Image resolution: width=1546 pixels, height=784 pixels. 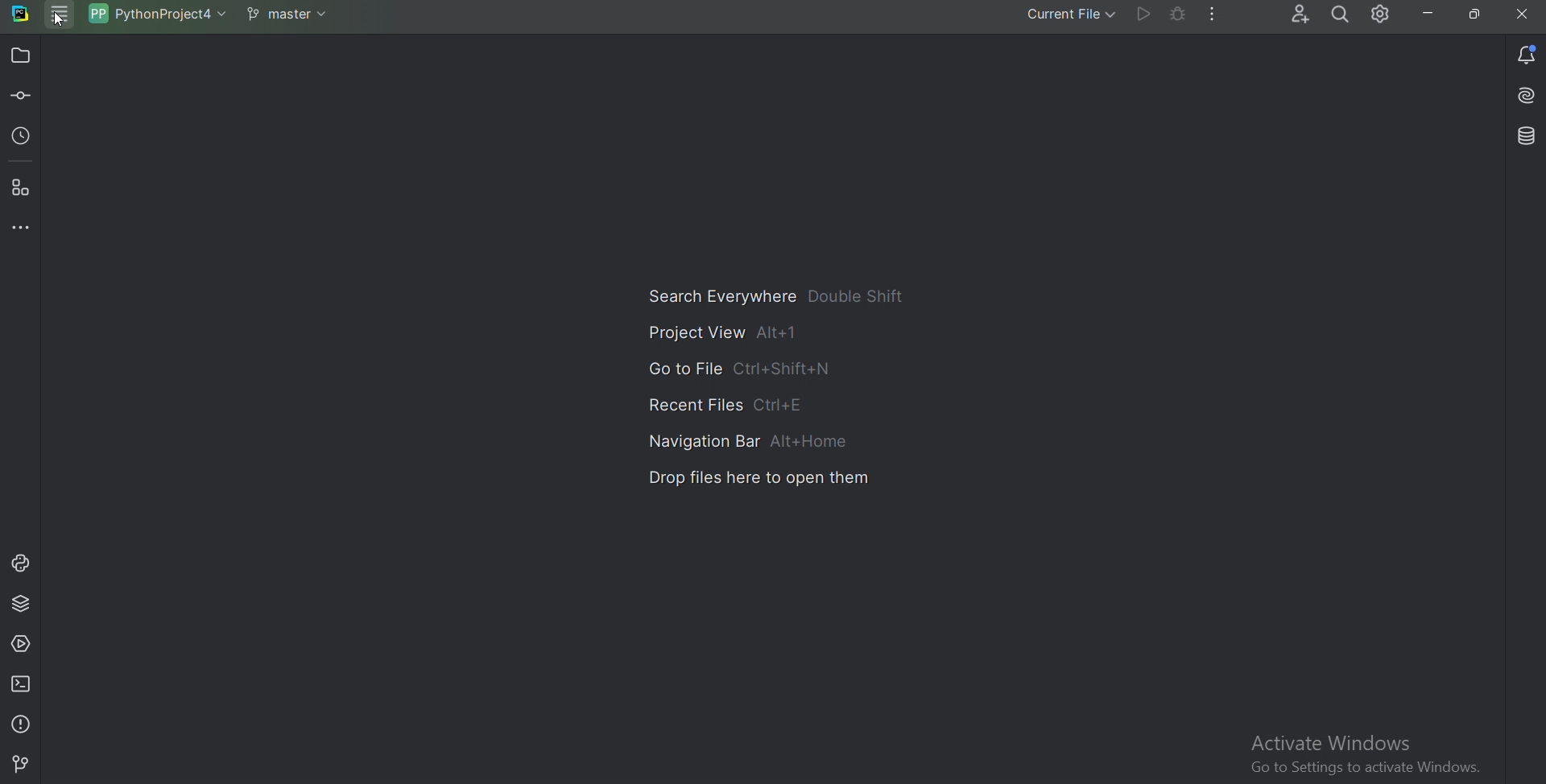 What do you see at coordinates (1143, 14) in the screenshot?
I see `Run ` at bounding box center [1143, 14].